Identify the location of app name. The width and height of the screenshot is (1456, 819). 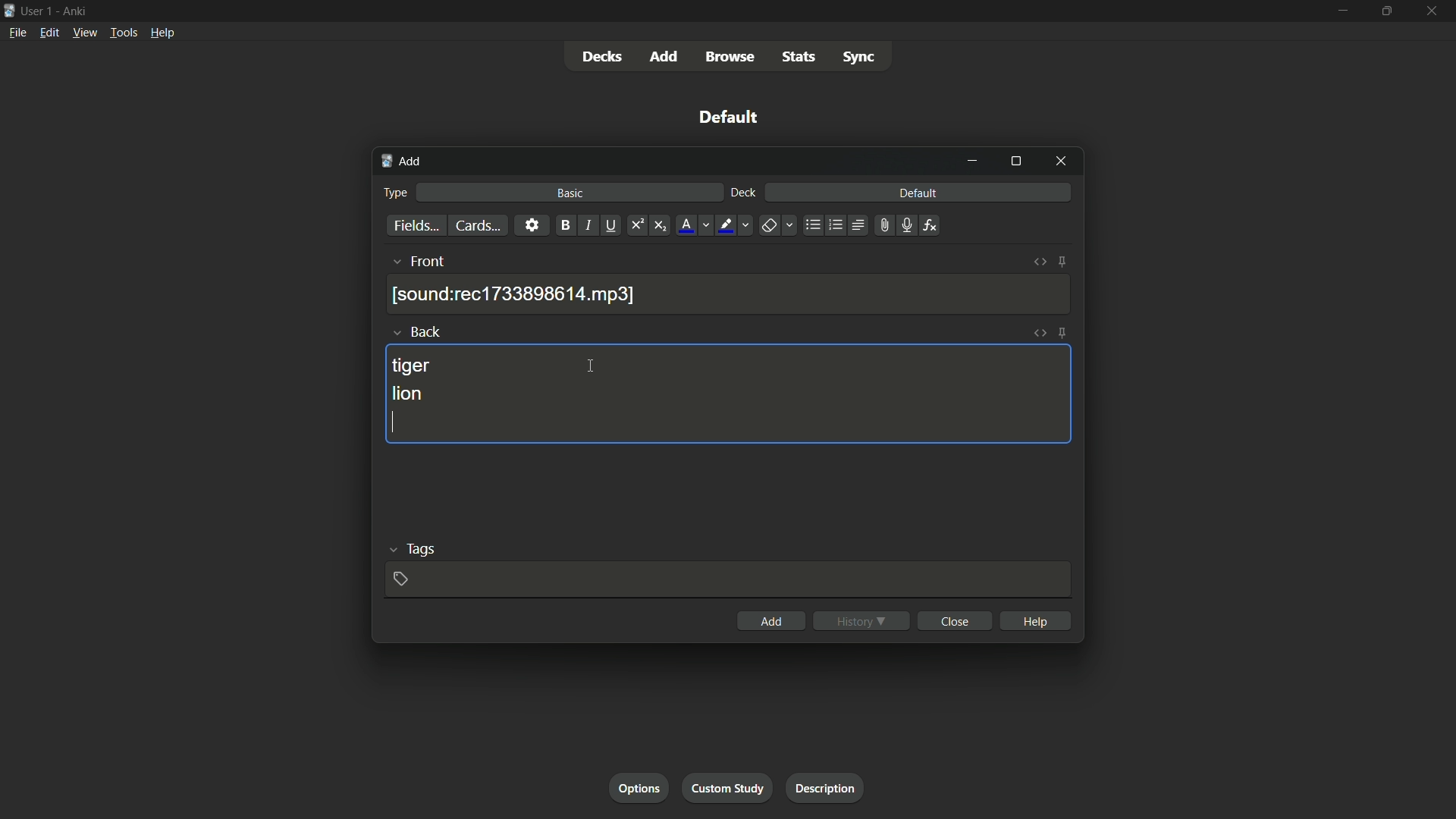
(74, 11).